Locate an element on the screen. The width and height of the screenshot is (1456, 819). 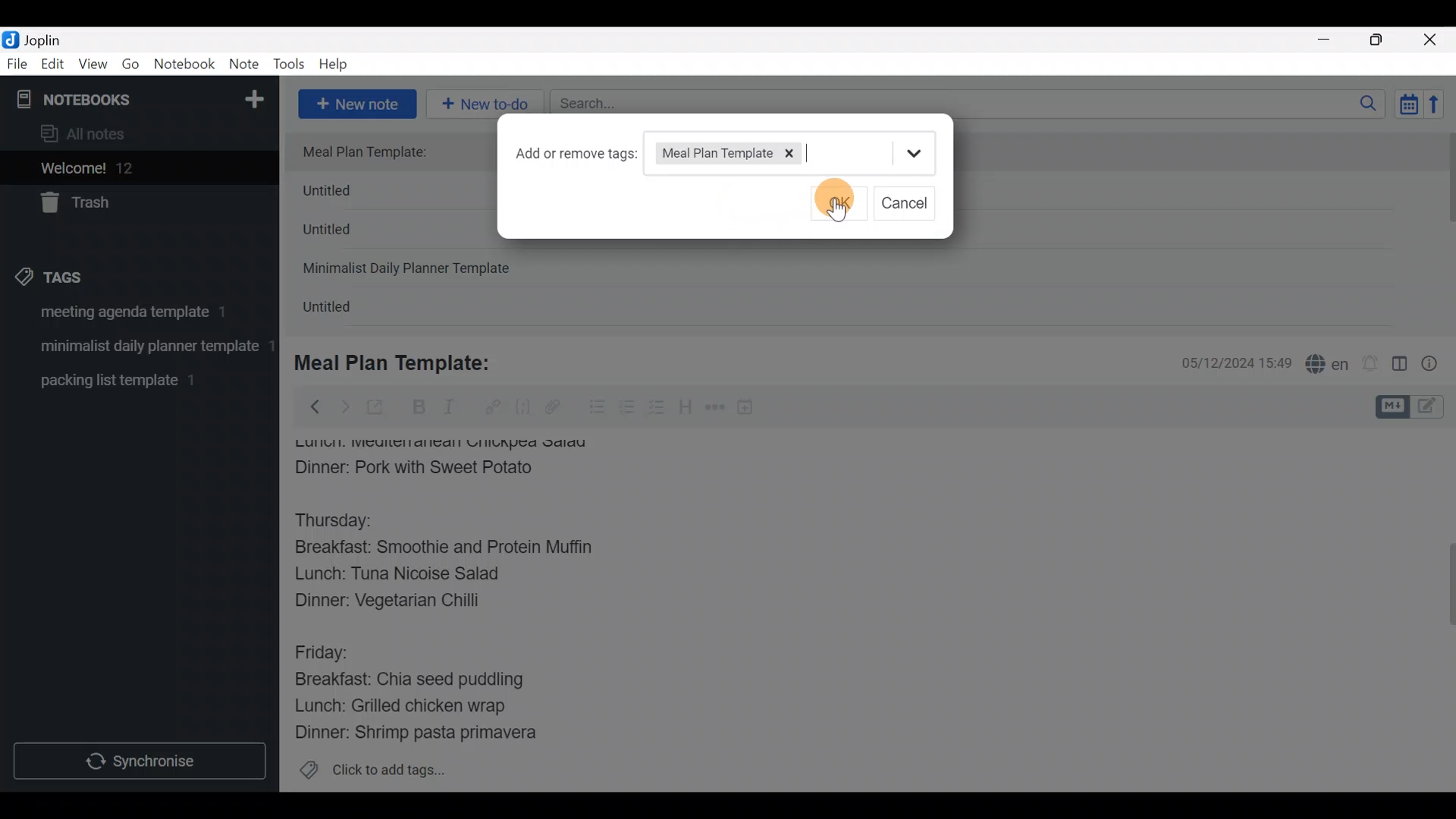
Search bar is located at coordinates (971, 102).